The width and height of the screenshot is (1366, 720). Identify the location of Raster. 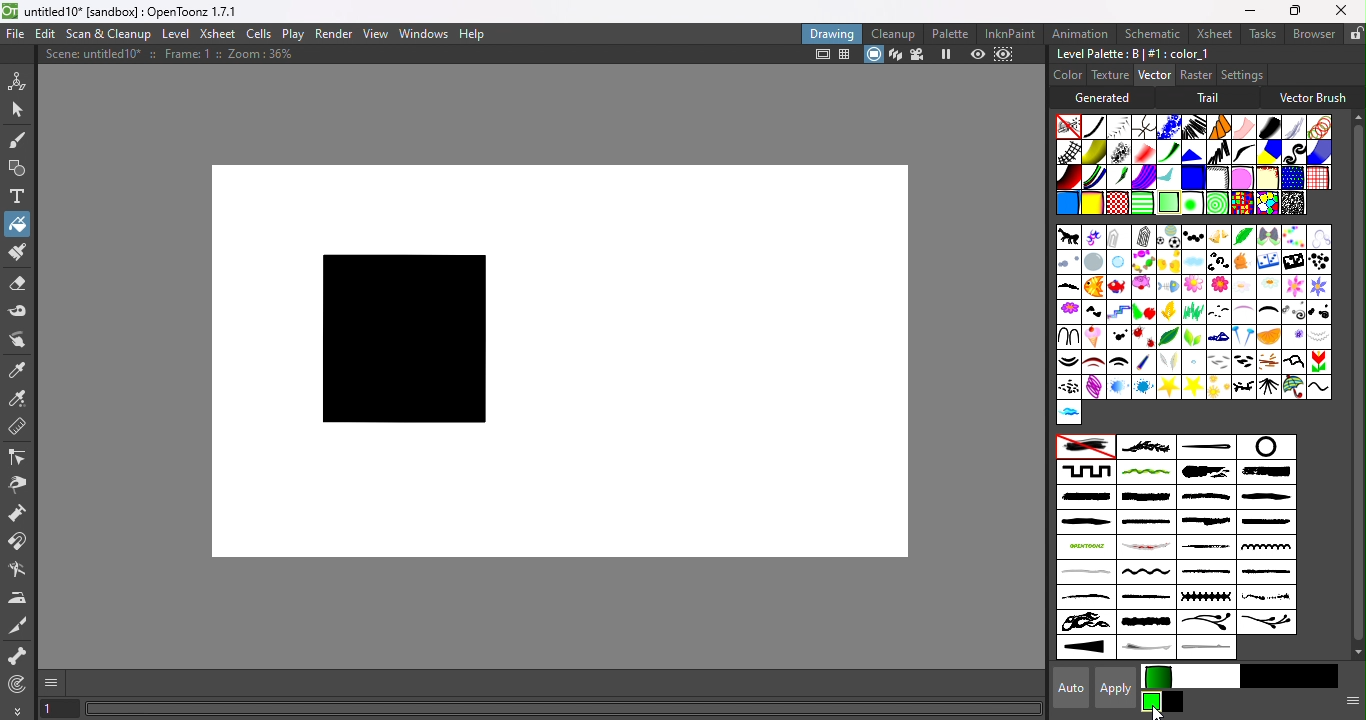
(1195, 75).